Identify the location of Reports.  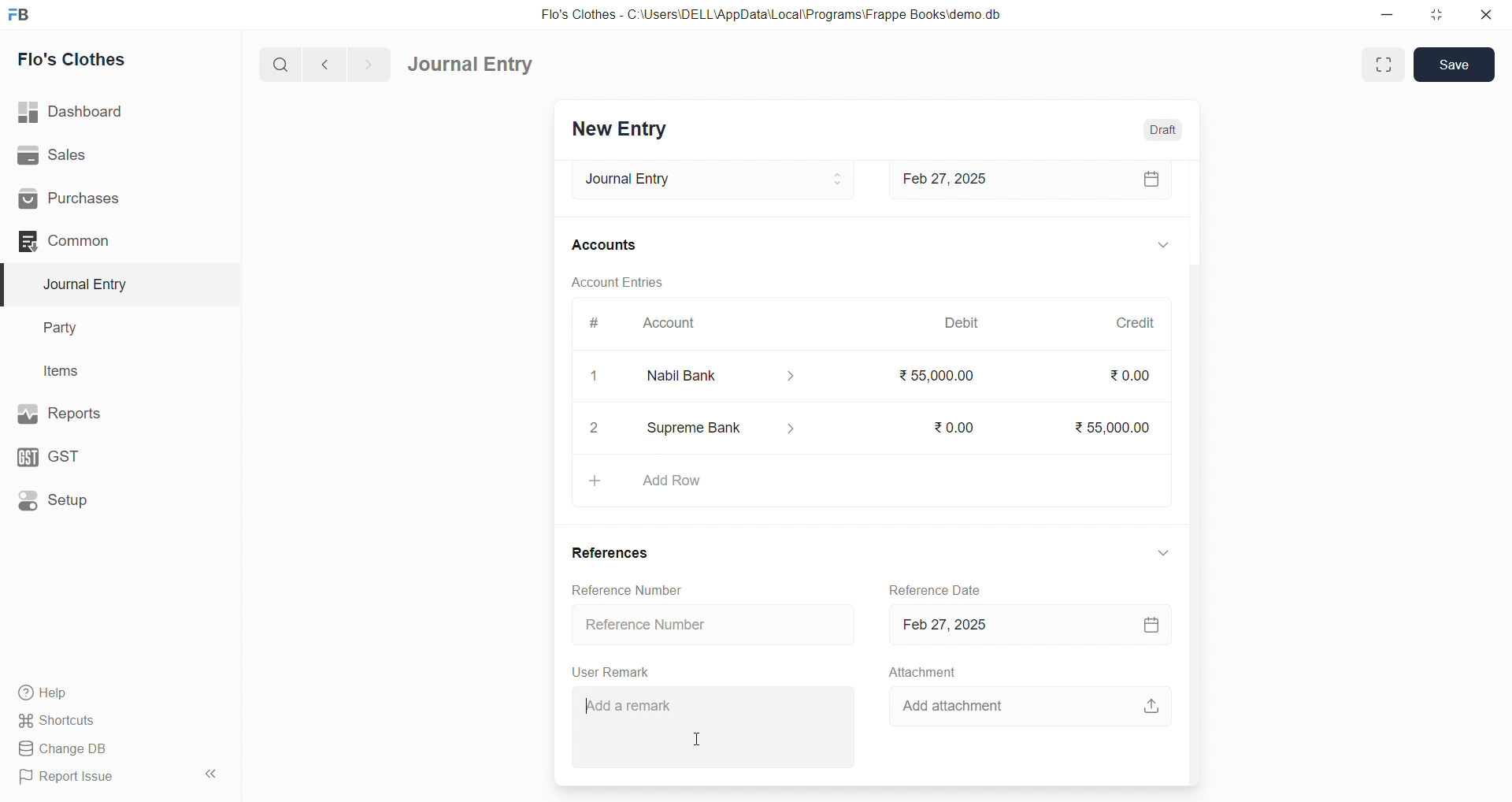
(93, 414).